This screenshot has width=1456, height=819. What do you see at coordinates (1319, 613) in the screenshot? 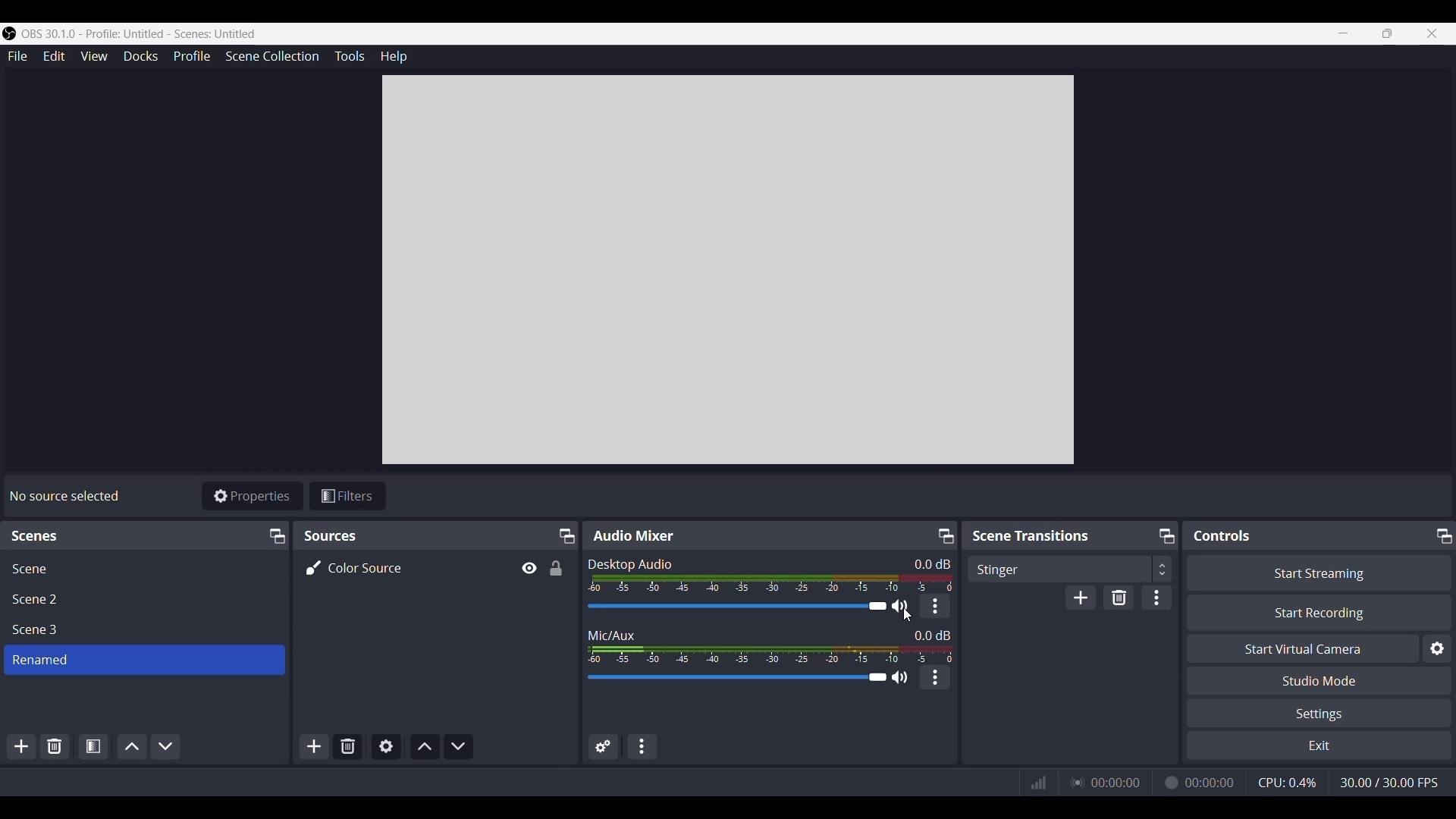
I see `Start recording` at bounding box center [1319, 613].